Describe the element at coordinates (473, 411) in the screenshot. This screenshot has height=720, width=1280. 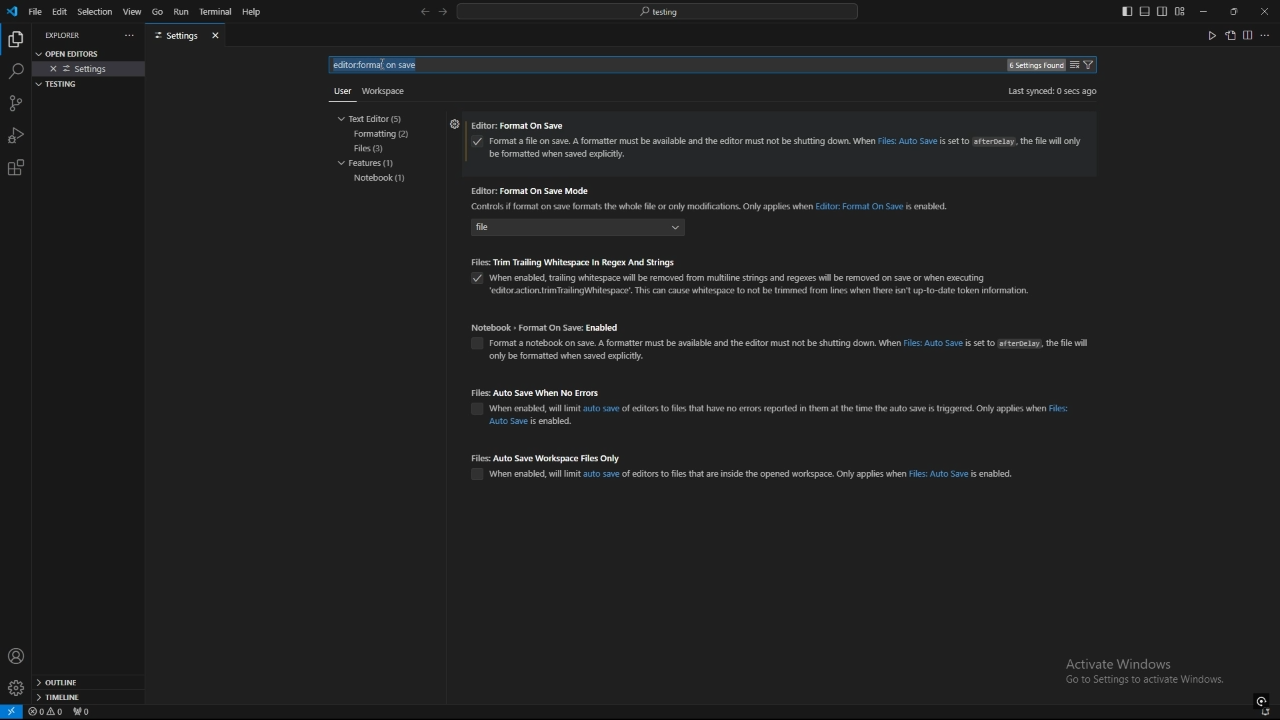
I see `unchecked` at that location.